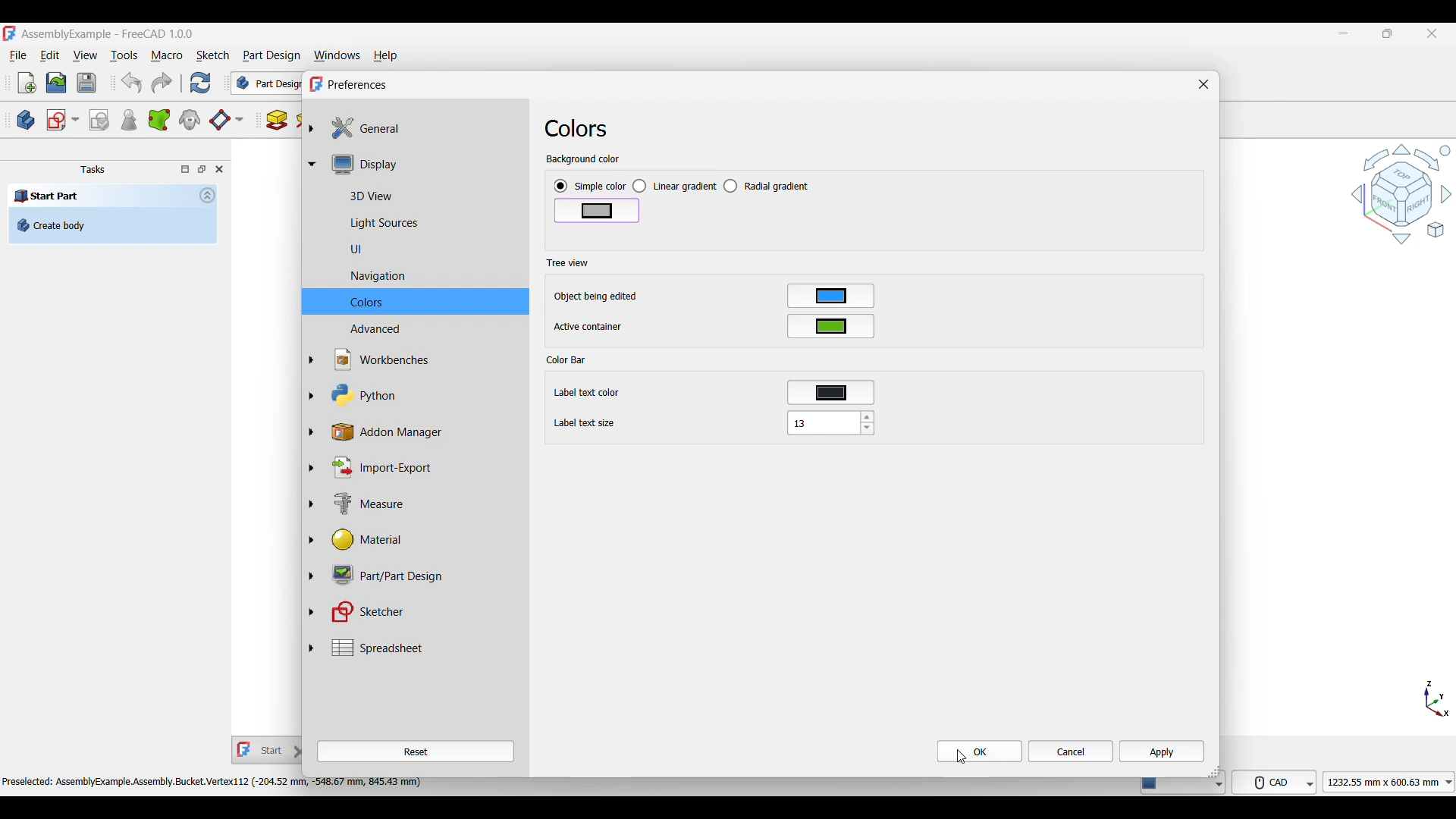 The width and height of the screenshot is (1456, 819). What do you see at coordinates (424, 128) in the screenshot?
I see `General settings` at bounding box center [424, 128].